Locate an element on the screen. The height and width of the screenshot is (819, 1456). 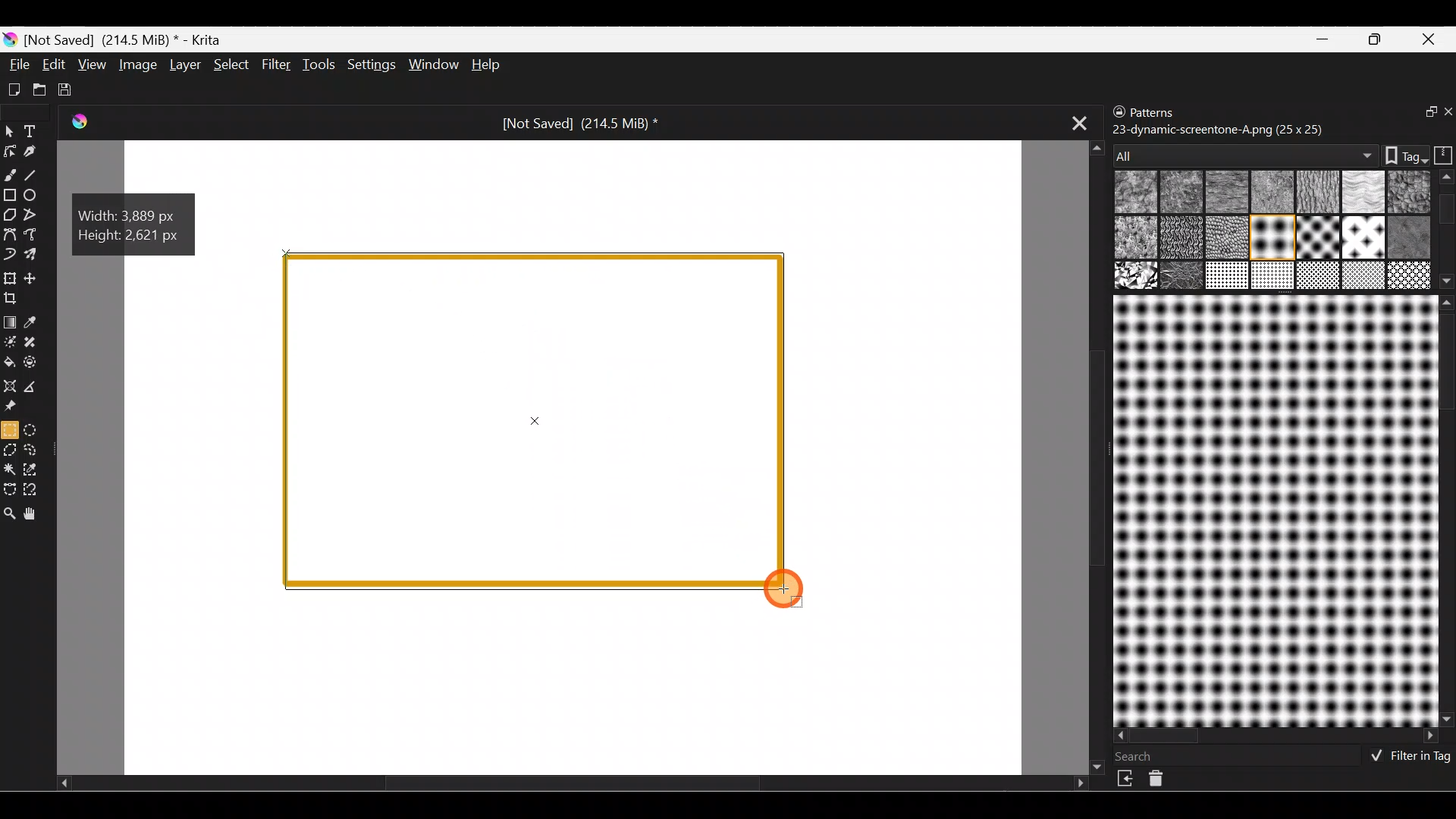
Layer is located at coordinates (184, 64).